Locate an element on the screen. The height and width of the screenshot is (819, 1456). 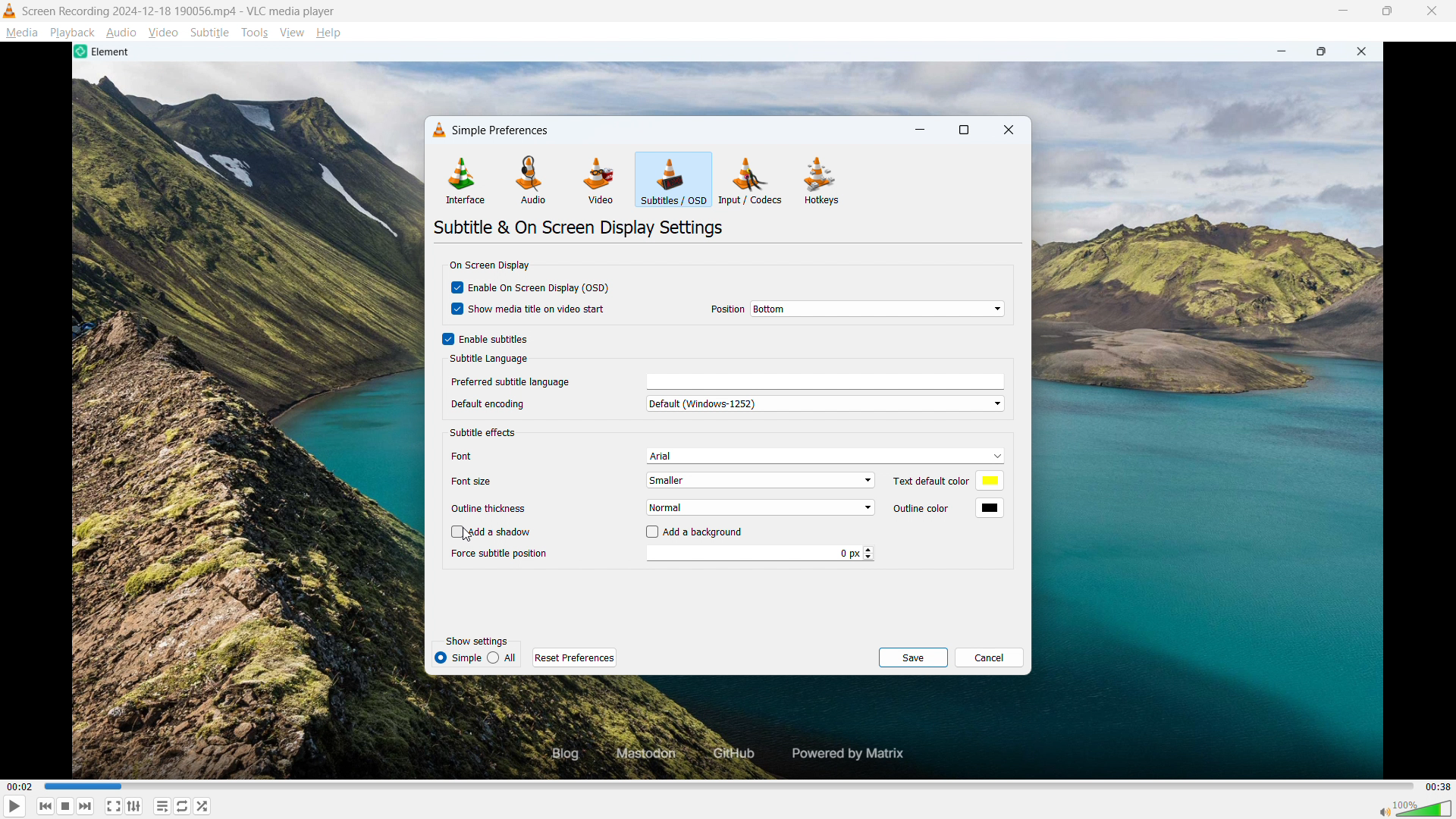
save is located at coordinates (913, 658).